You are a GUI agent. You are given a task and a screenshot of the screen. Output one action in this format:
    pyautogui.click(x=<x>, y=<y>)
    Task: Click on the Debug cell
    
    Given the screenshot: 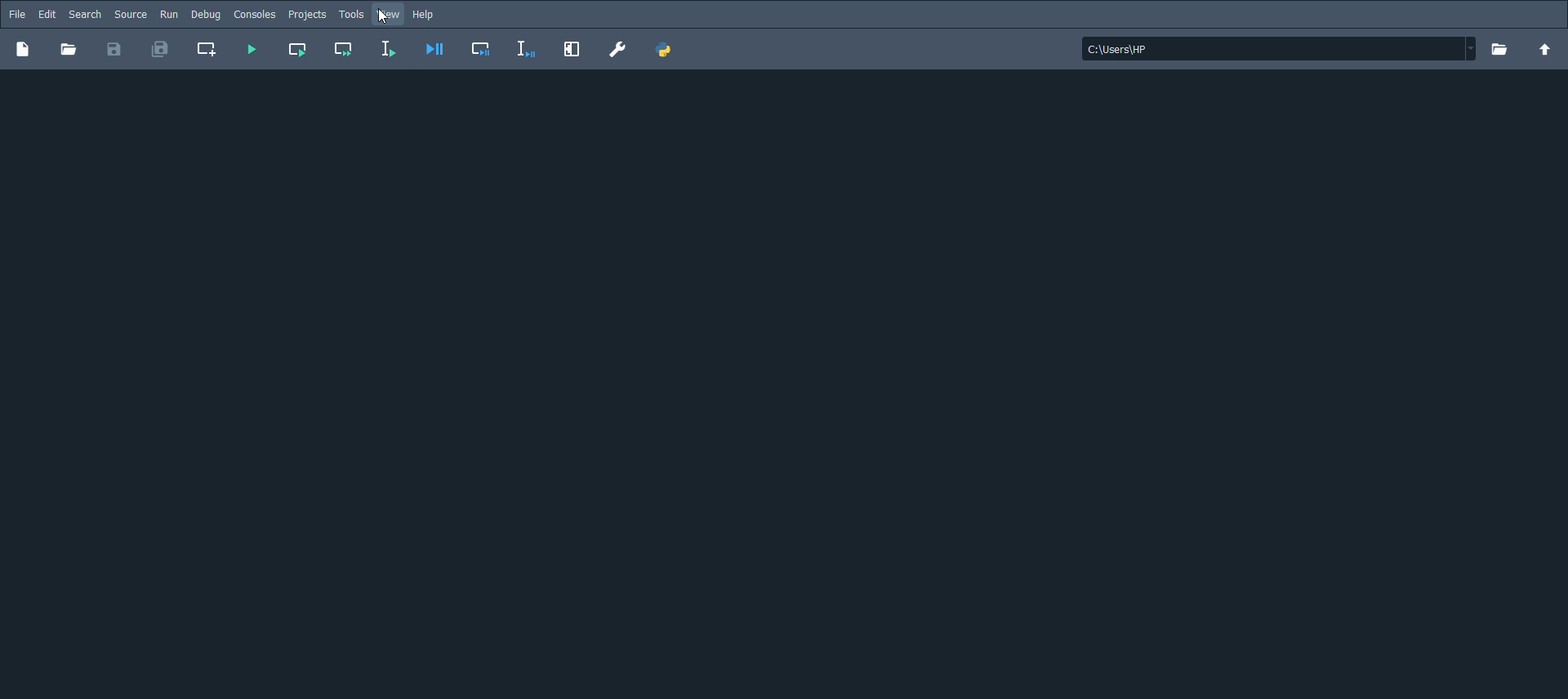 What is the action you would take?
    pyautogui.click(x=482, y=50)
    